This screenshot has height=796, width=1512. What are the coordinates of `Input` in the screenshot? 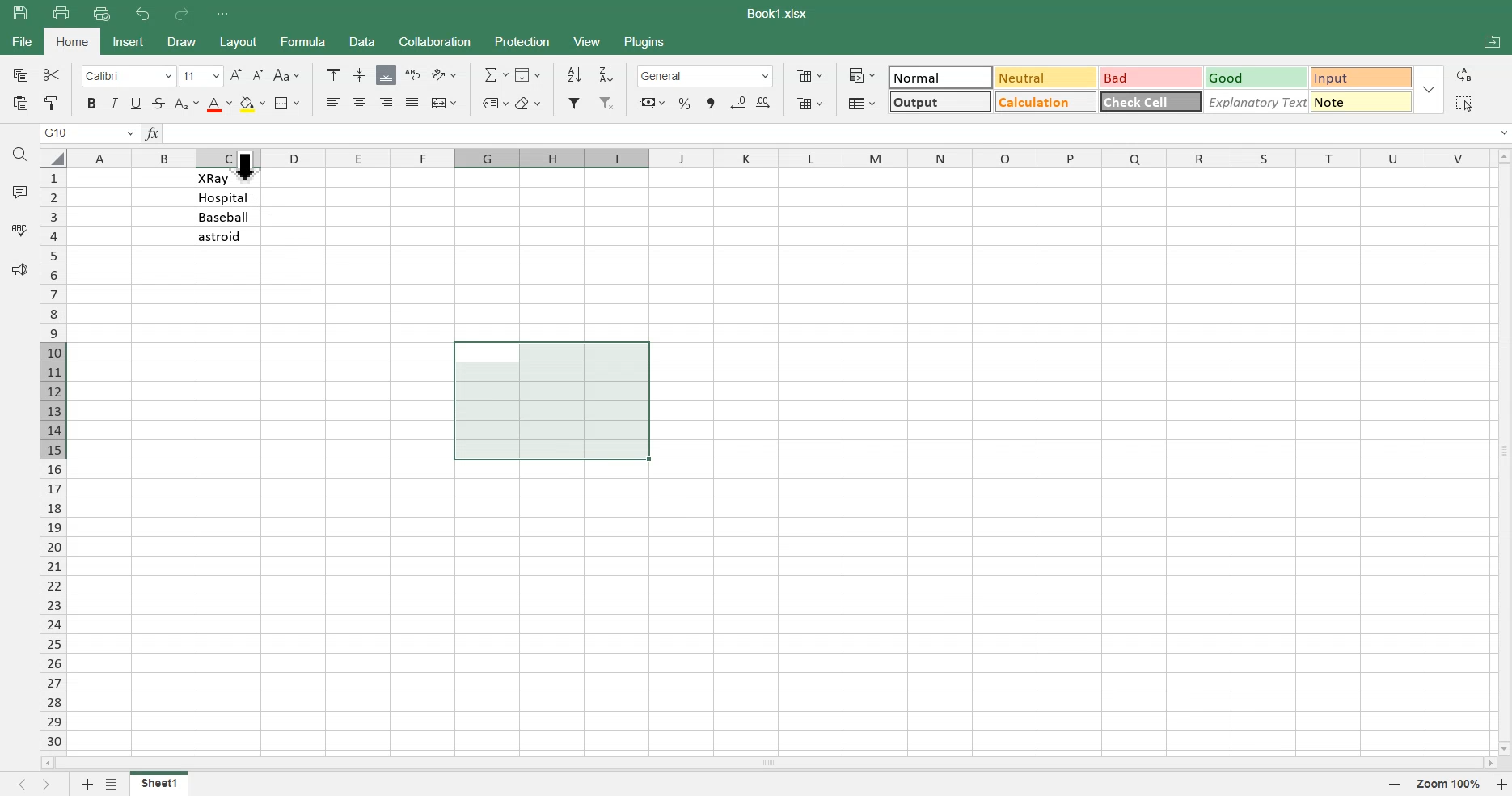 It's located at (1358, 75).